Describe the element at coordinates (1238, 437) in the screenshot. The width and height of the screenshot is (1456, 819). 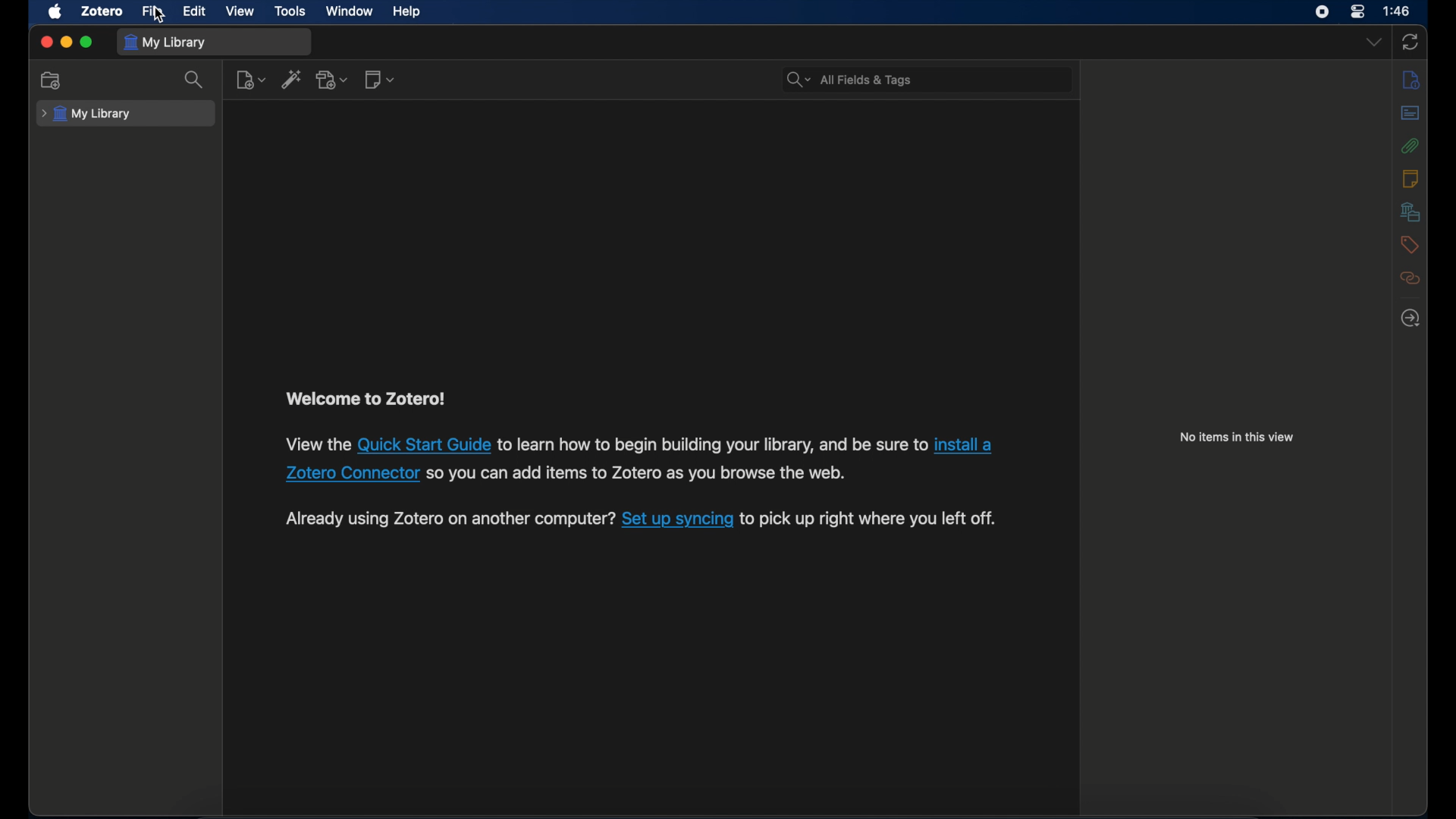
I see `no items in this view` at that location.